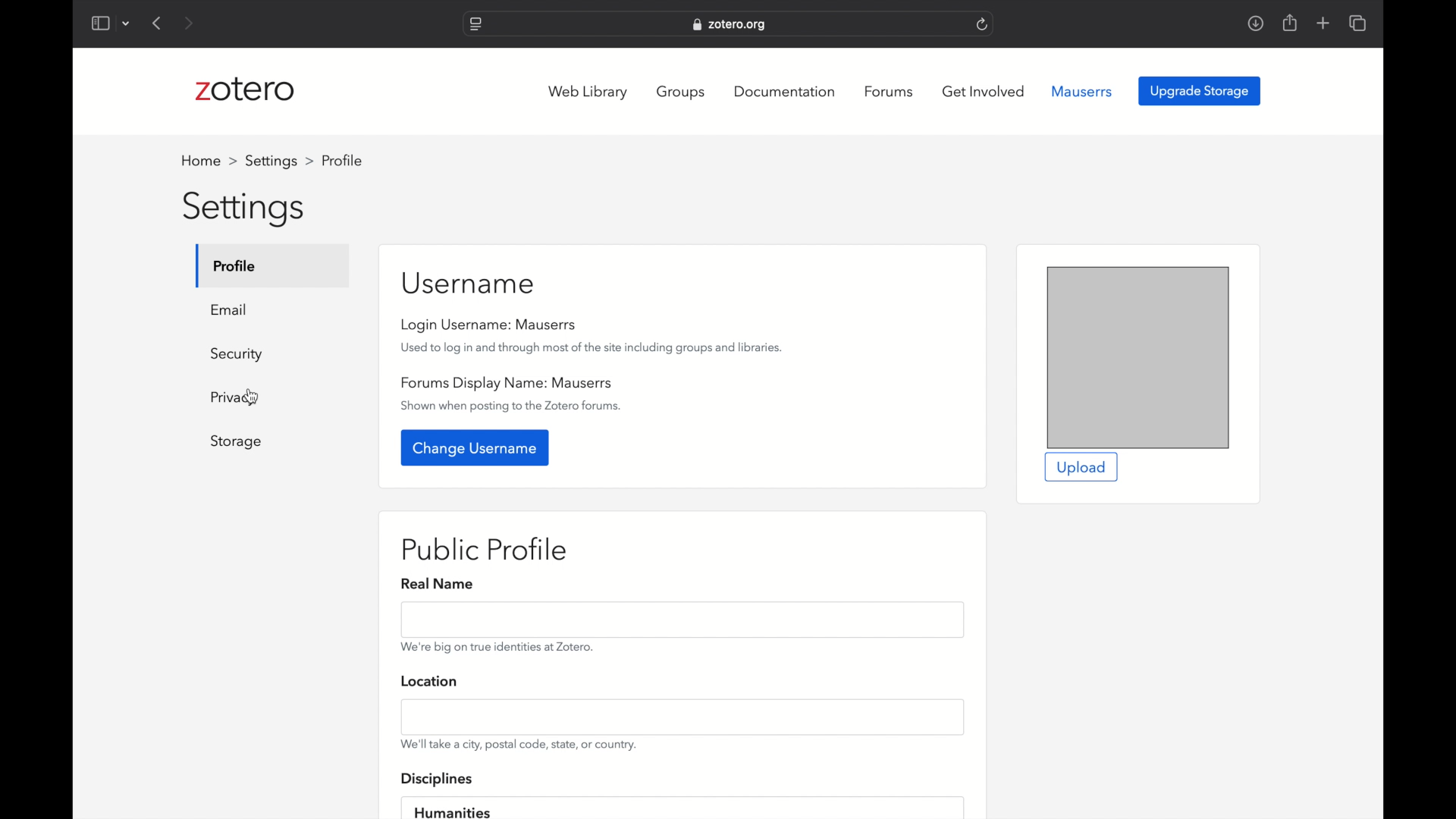  What do you see at coordinates (513, 406) in the screenshot?
I see `shown when posting to the zotero forums` at bounding box center [513, 406].